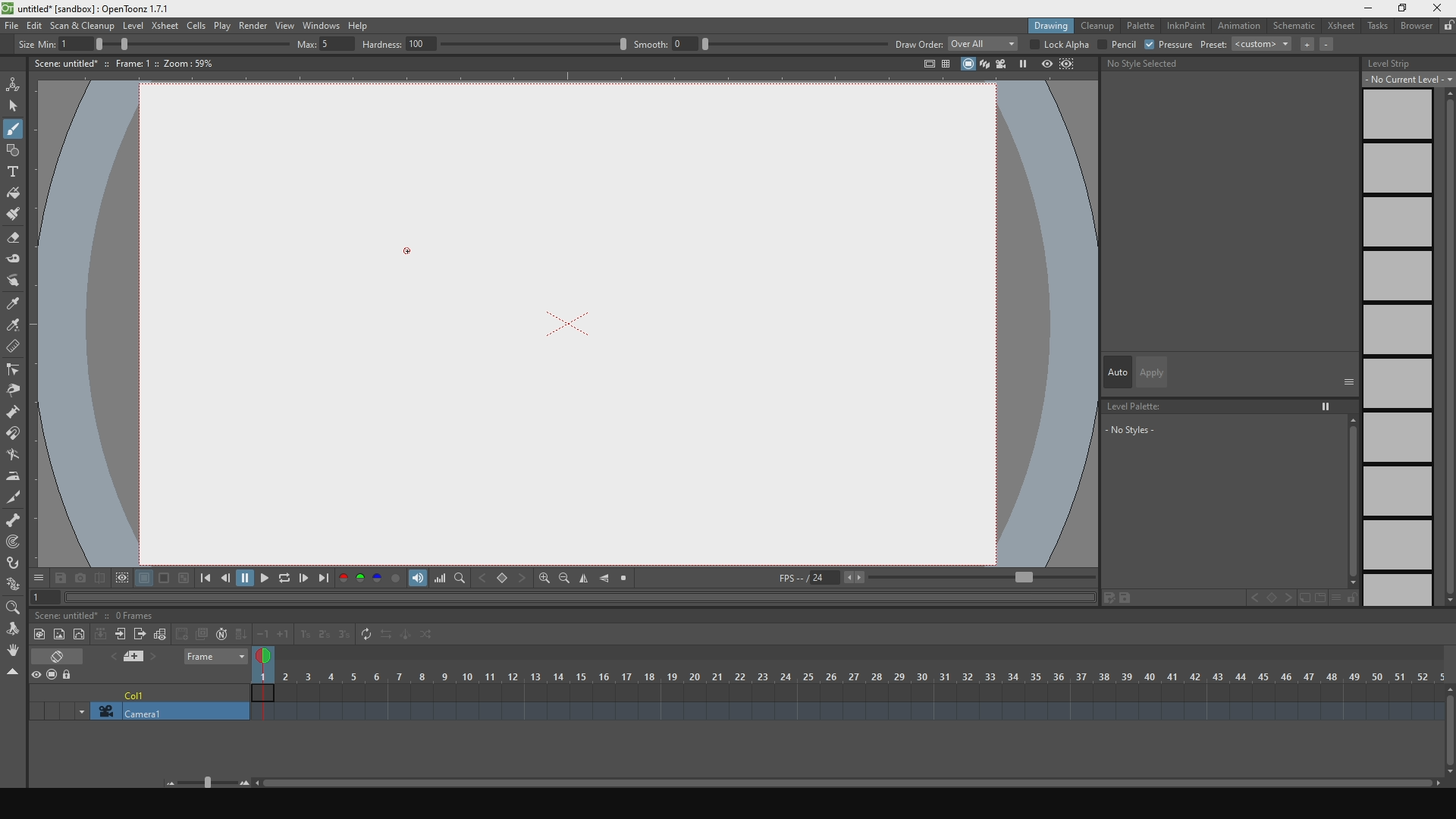  I want to click on edit, so click(33, 24).